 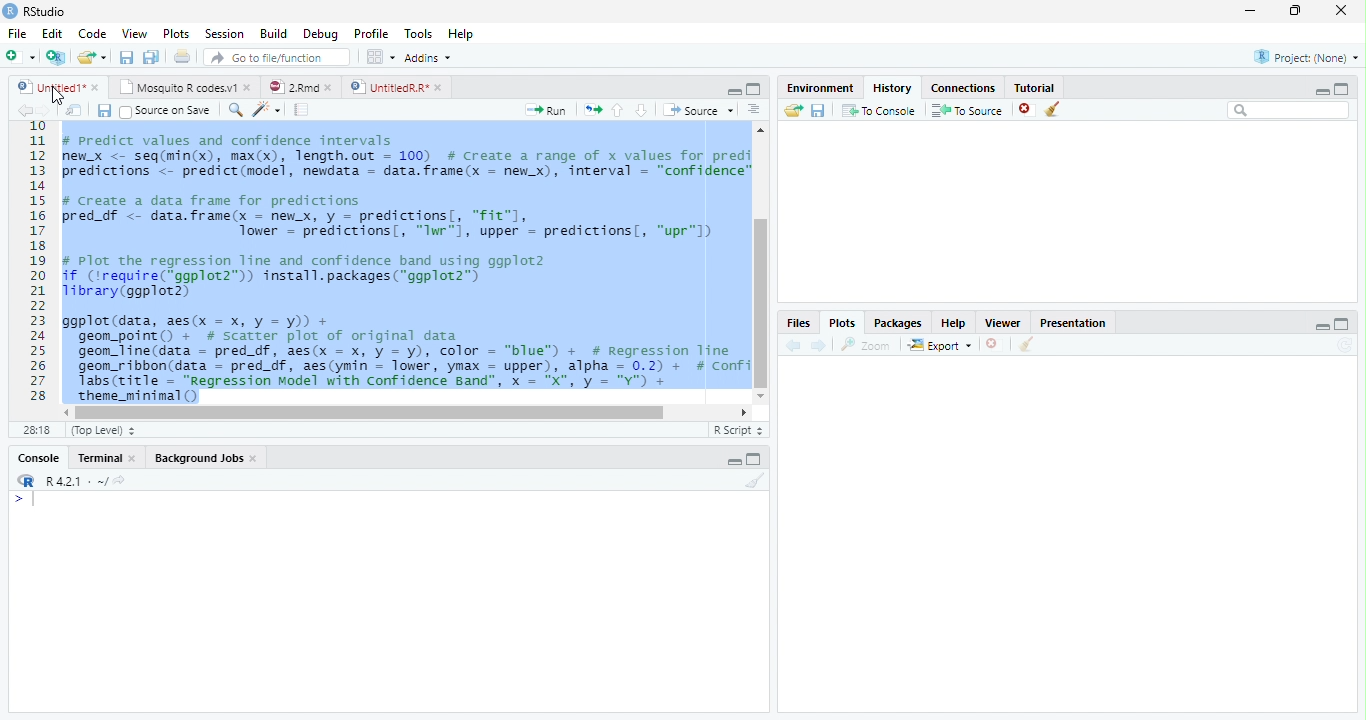 I want to click on Cursor, so click(x=38, y=498).